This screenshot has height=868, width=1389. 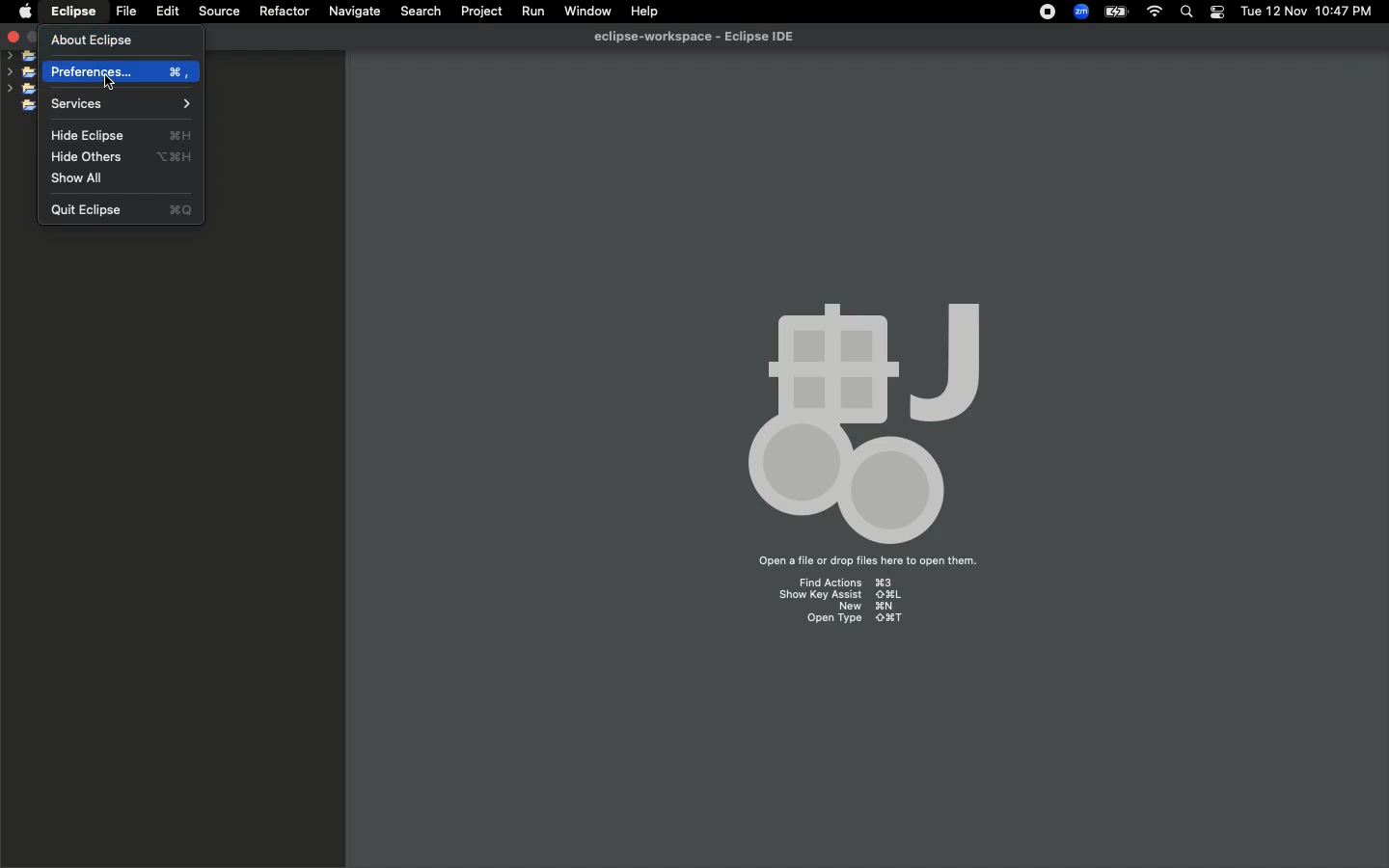 What do you see at coordinates (865, 457) in the screenshot?
I see `Workspace` at bounding box center [865, 457].